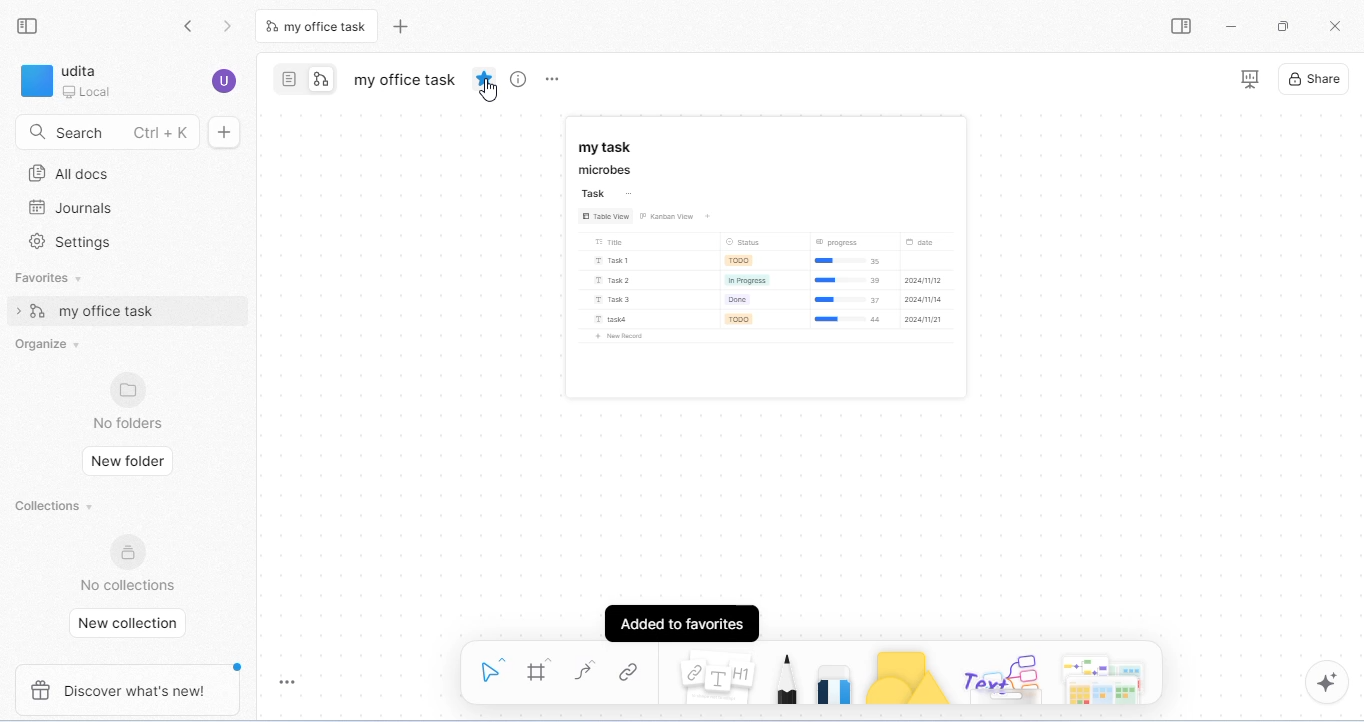 This screenshot has height=722, width=1364. I want to click on workspace, so click(69, 80).